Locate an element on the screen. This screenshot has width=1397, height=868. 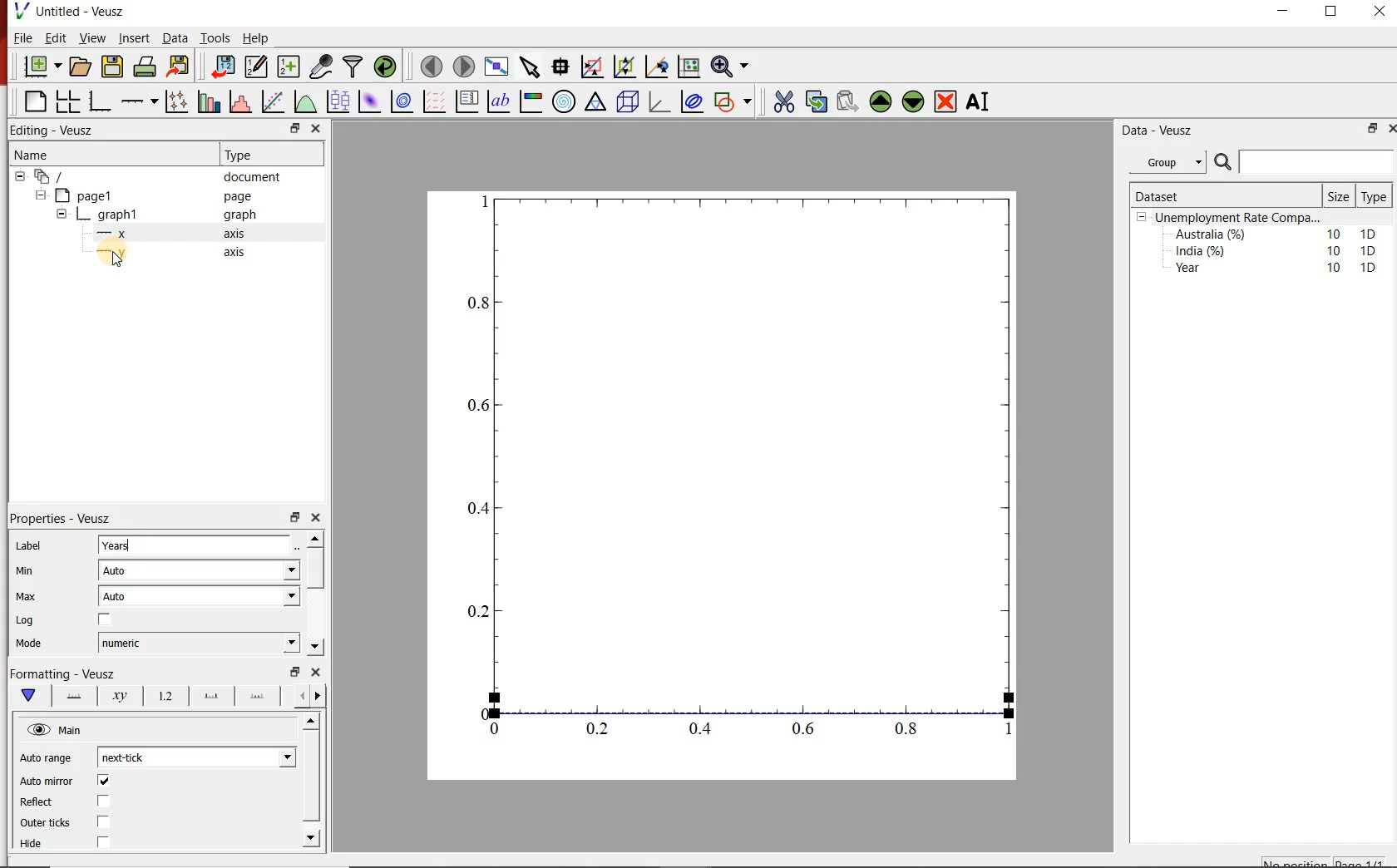
major tick is located at coordinates (211, 696).